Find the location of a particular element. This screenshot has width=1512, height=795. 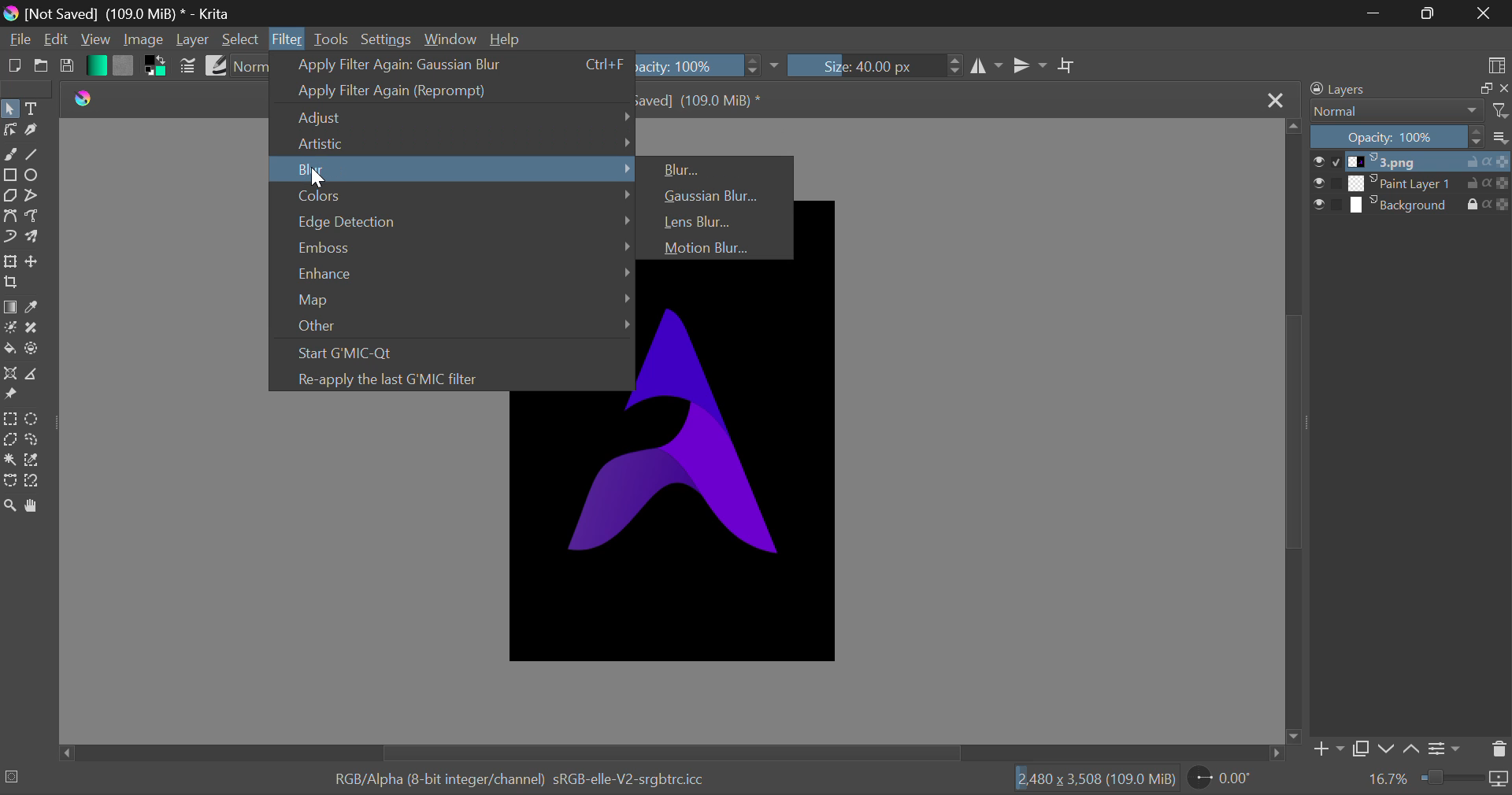

16.7% is located at coordinates (1388, 779).